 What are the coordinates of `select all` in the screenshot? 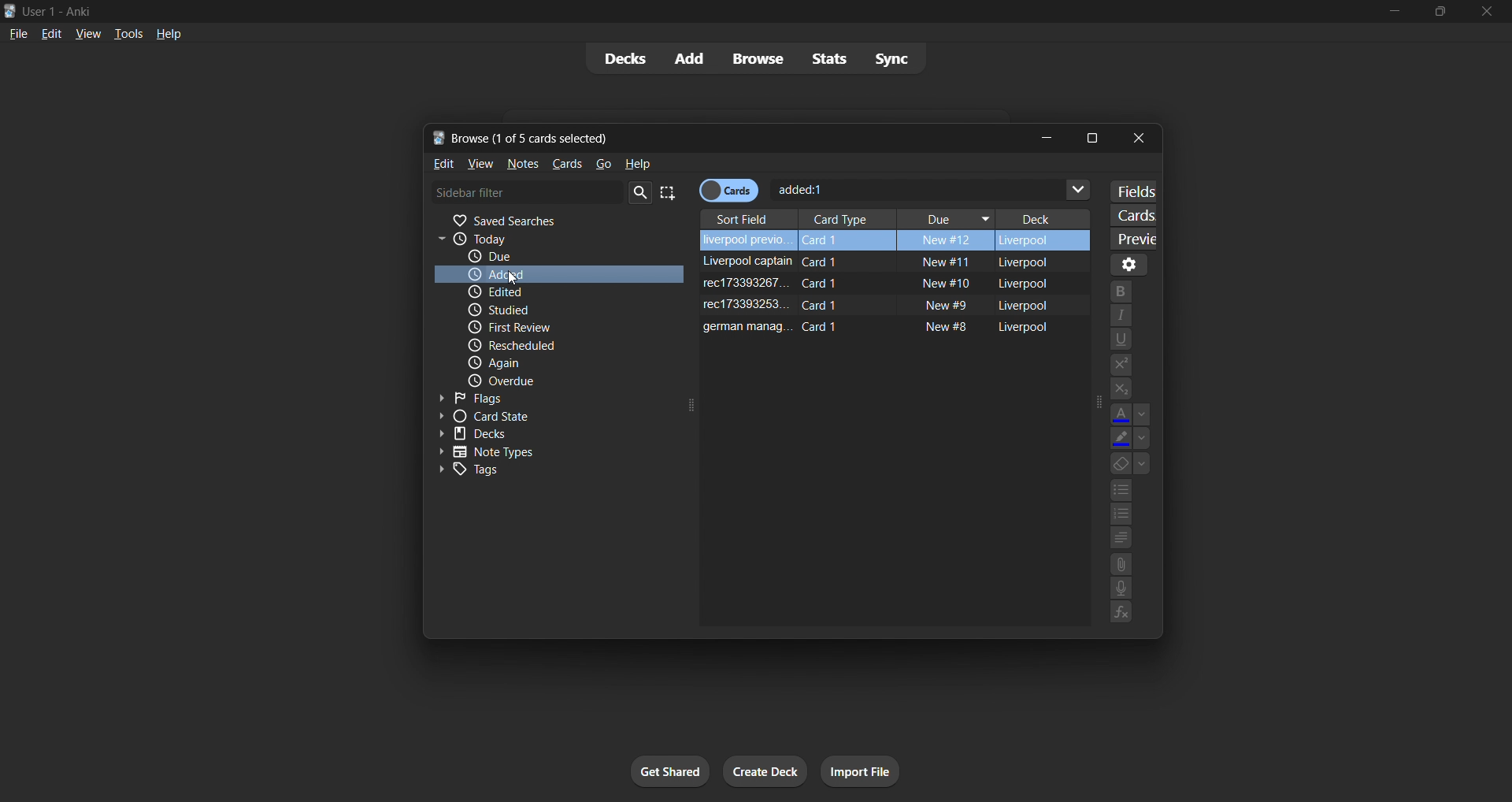 It's located at (669, 190).